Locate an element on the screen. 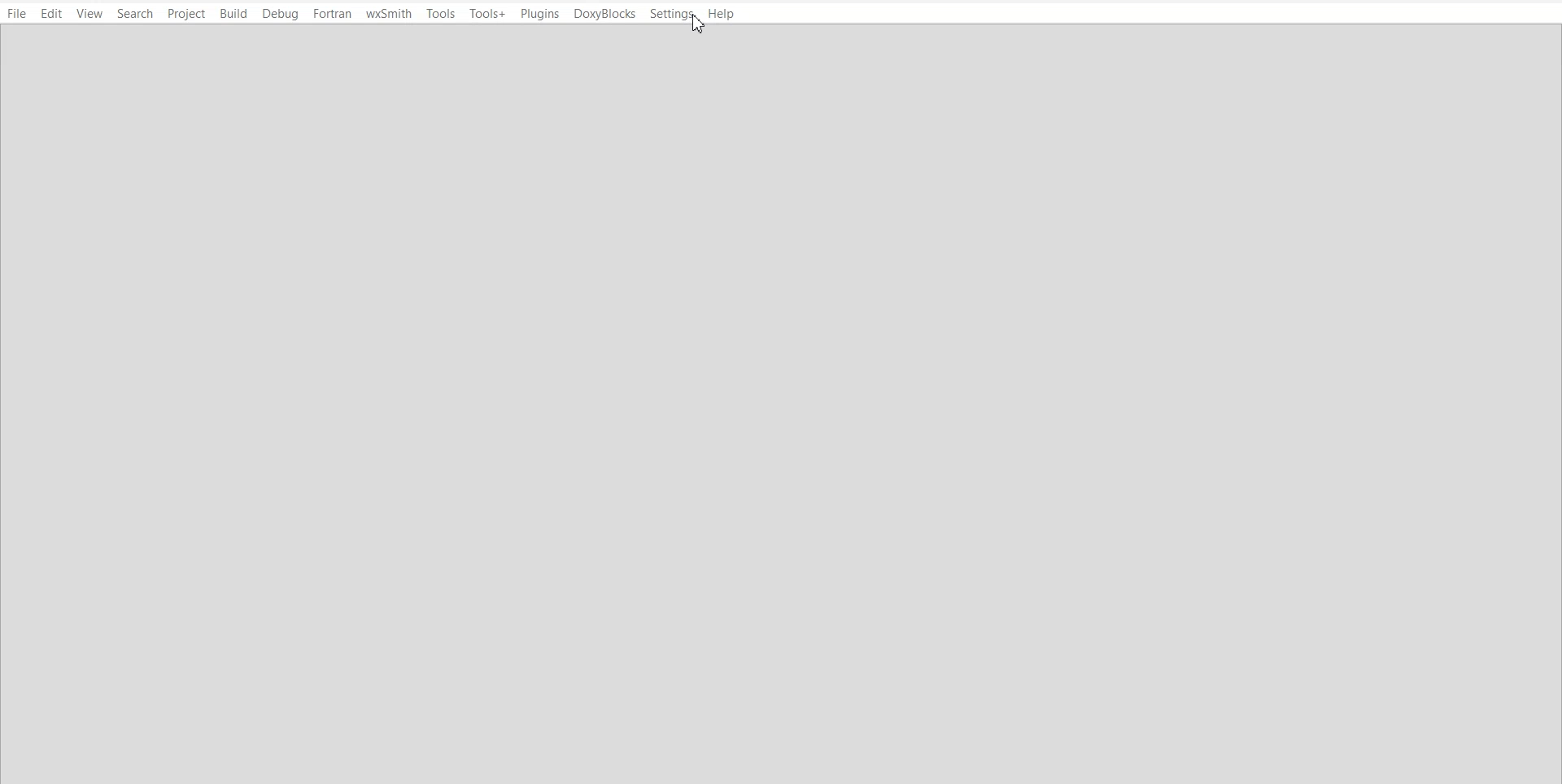 The height and width of the screenshot is (784, 1562). cursor is located at coordinates (700, 27).